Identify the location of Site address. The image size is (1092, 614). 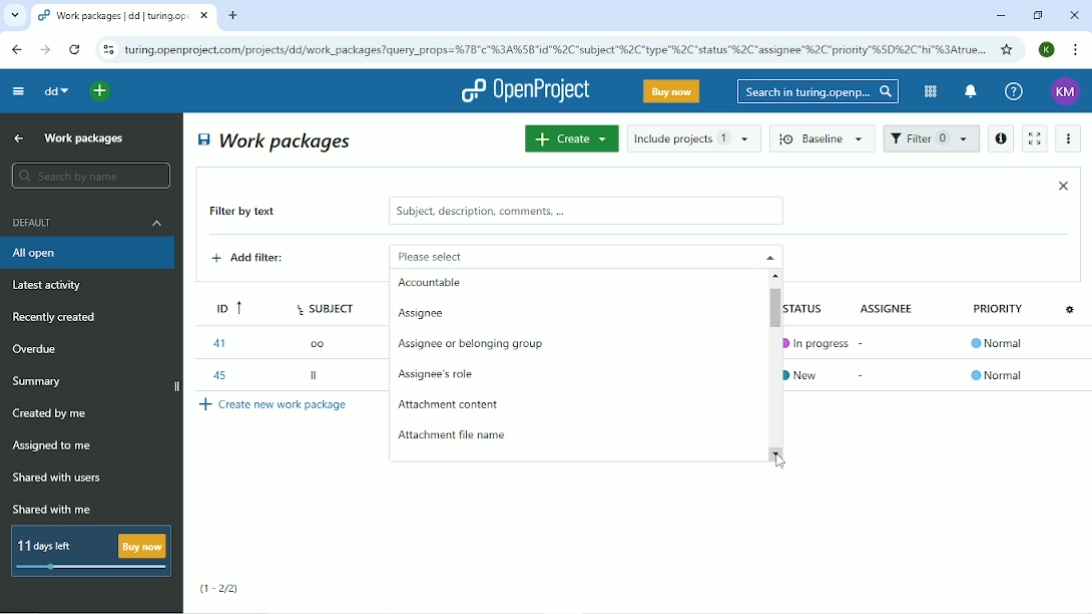
(555, 48).